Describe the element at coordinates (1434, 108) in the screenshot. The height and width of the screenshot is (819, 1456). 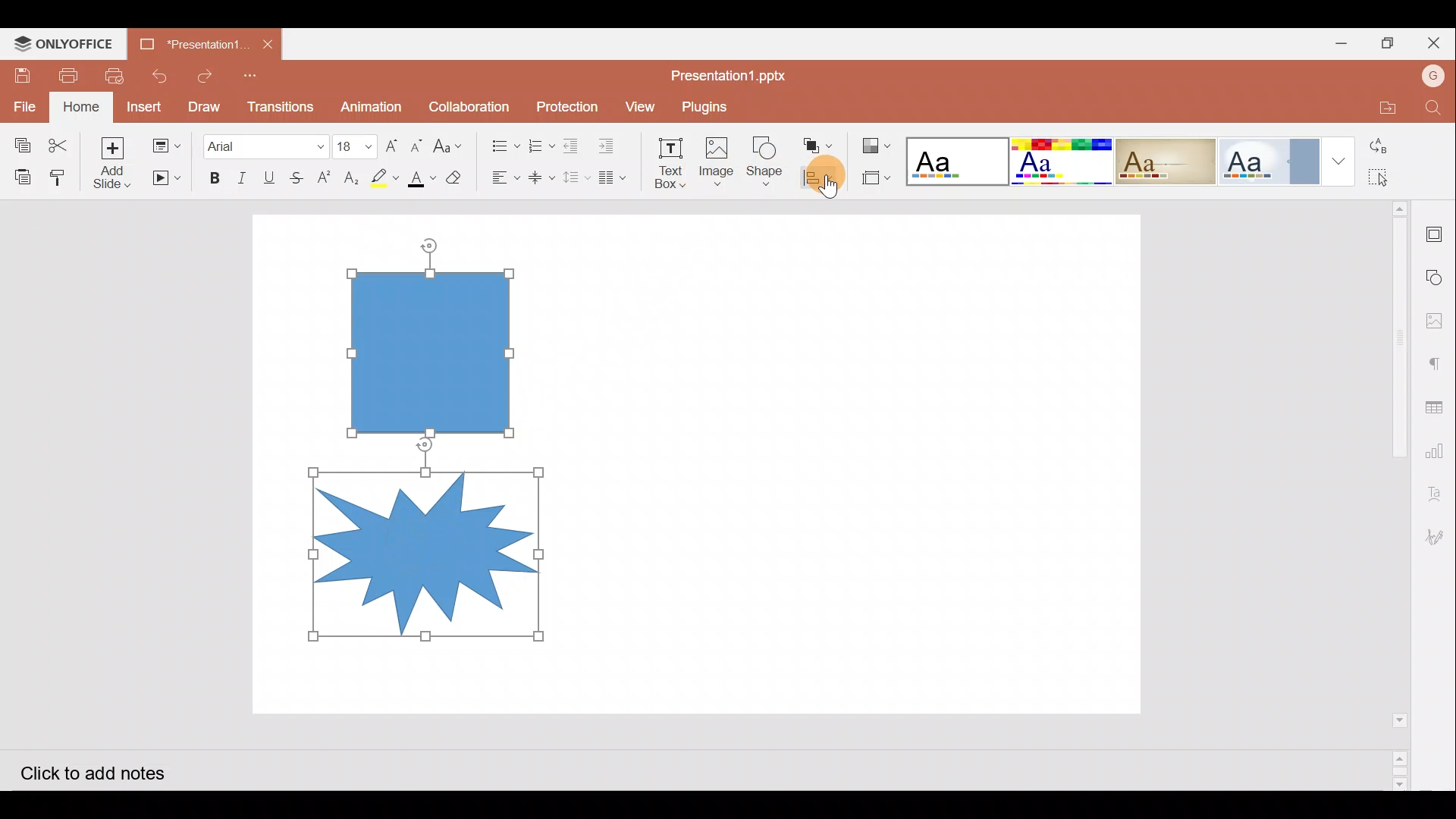
I see `Find` at that location.